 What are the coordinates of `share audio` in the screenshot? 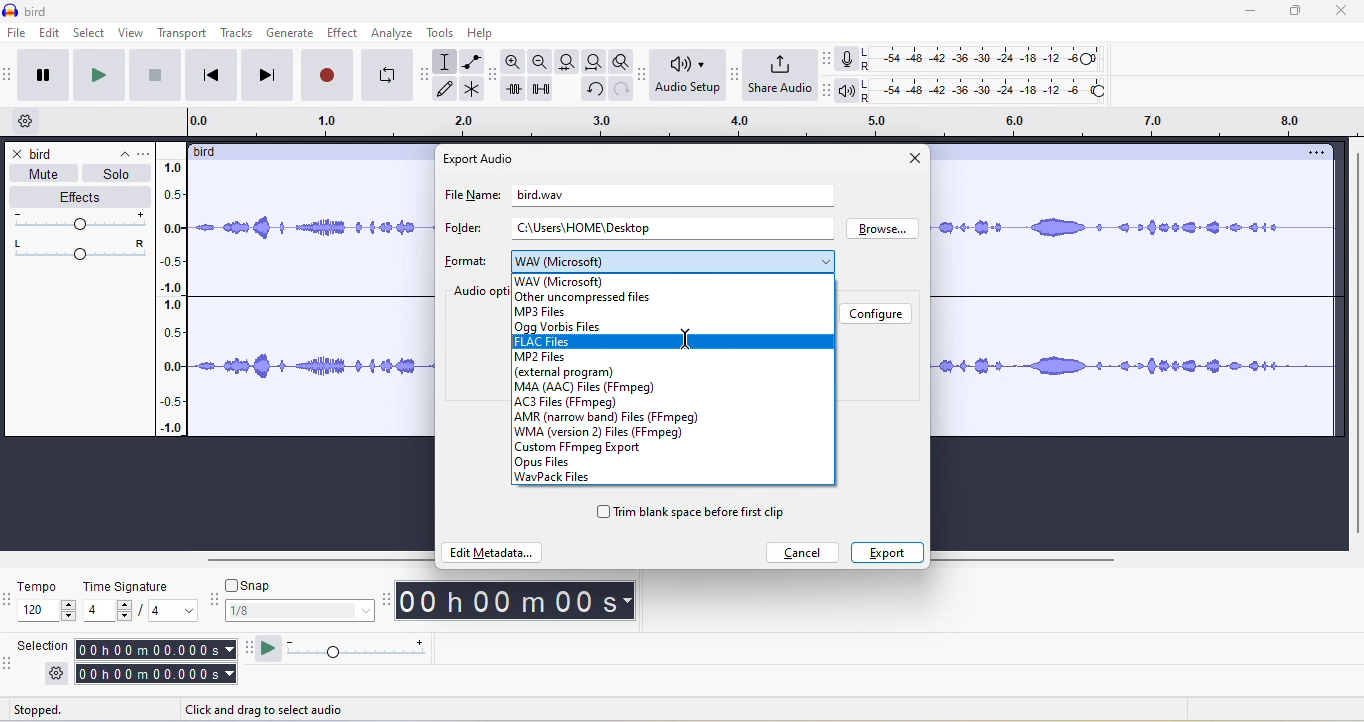 It's located at (778, 76).